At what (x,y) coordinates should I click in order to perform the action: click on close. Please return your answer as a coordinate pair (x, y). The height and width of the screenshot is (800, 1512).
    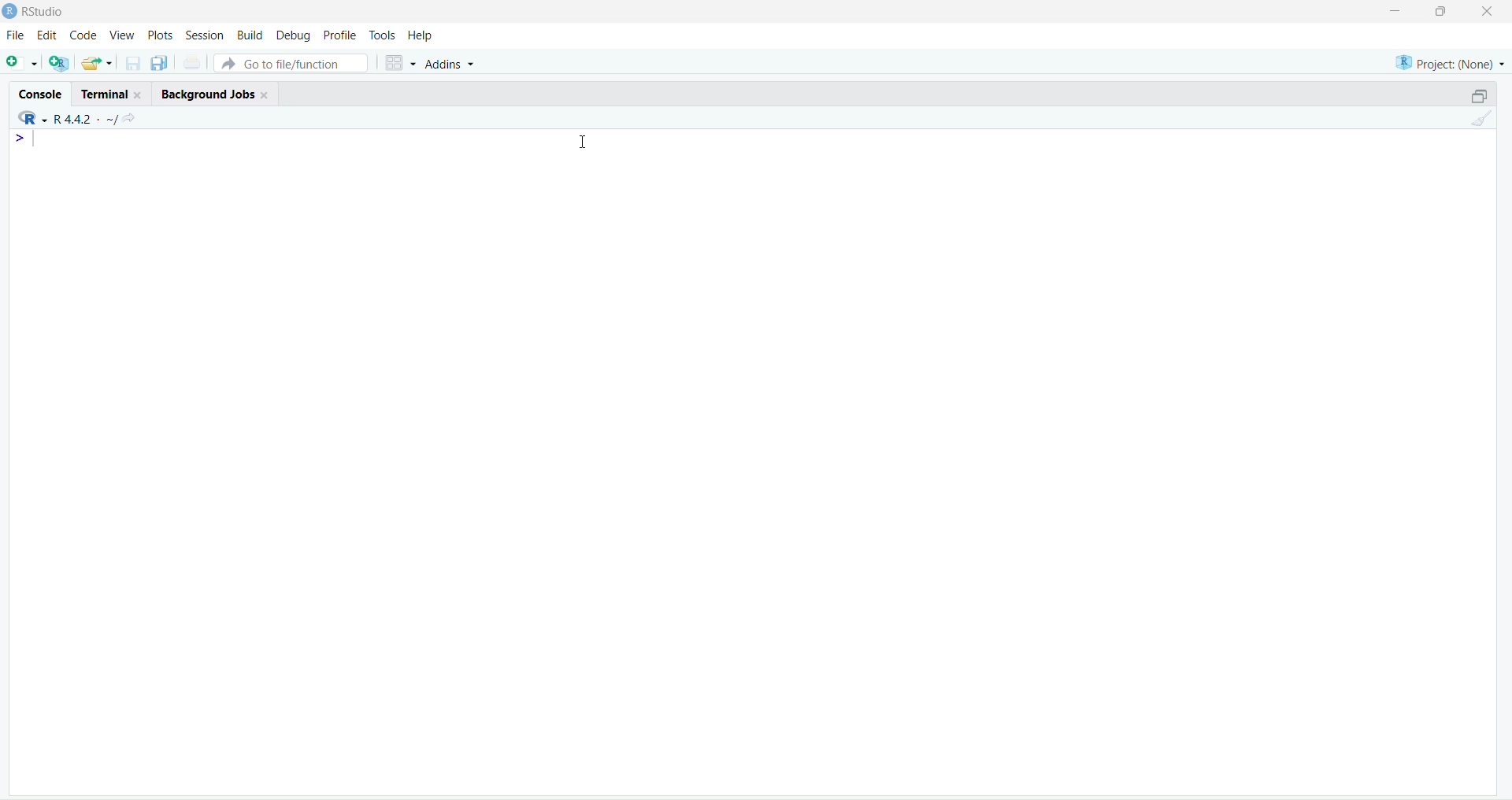
    Looking at the image, I should click on (139, 95).